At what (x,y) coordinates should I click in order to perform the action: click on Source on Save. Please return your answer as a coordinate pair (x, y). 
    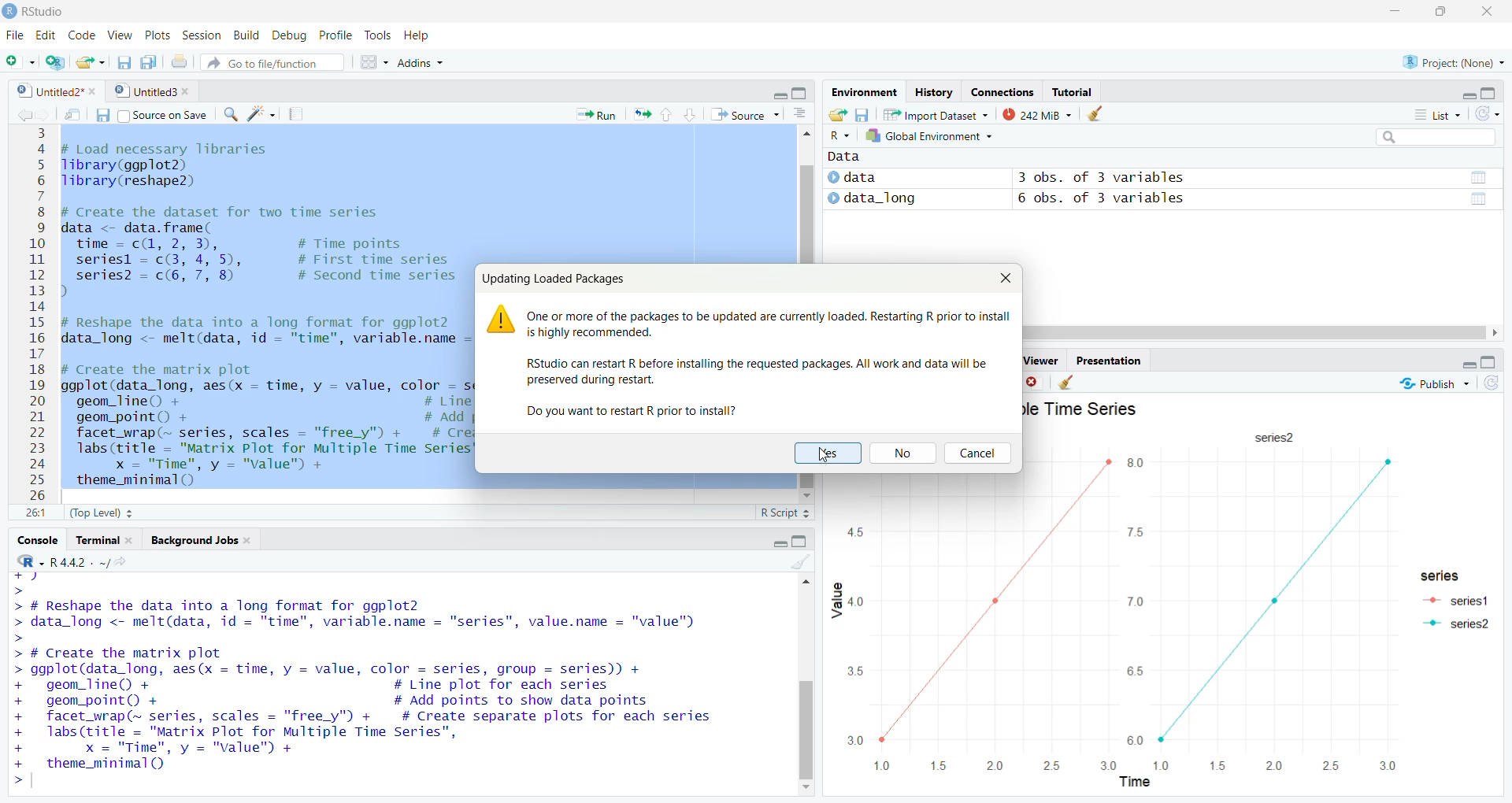
    Looking at the image, I should click on (151, 114).